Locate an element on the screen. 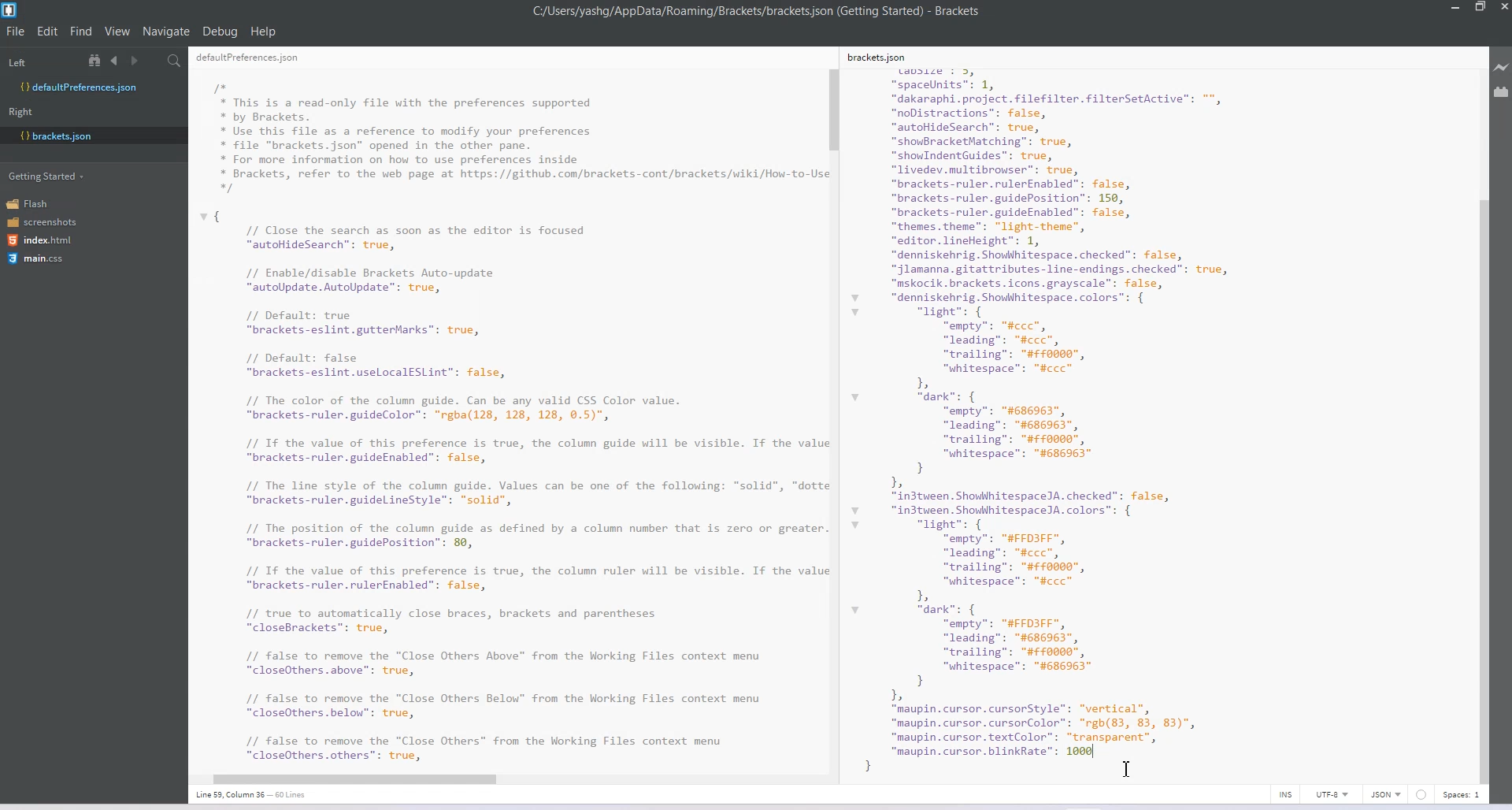  Find in Files is located at coordinates (176, 61).